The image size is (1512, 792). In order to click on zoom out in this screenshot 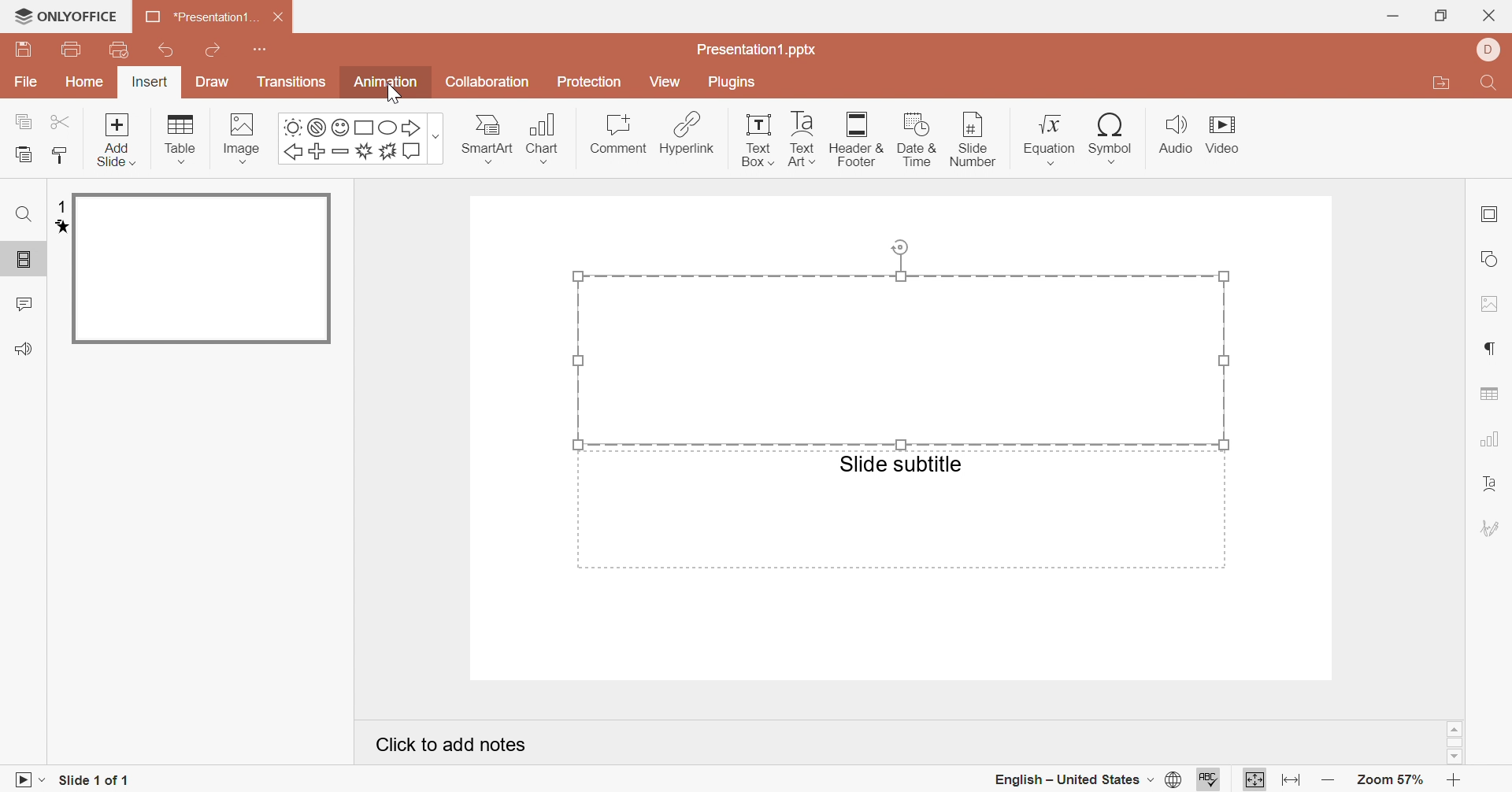, I will do `click(1329, 781)`.